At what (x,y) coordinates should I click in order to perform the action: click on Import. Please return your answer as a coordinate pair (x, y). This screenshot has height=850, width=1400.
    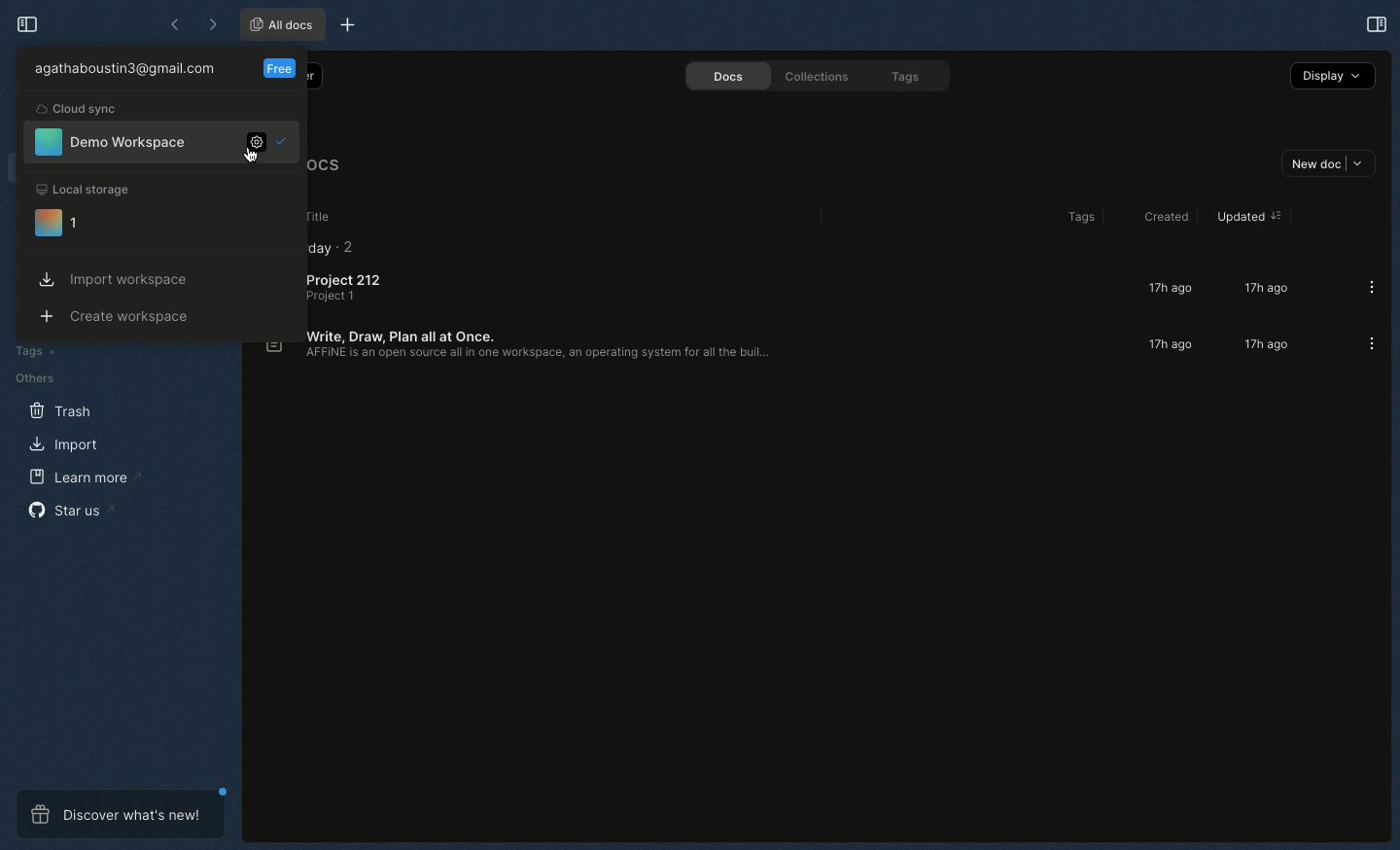
    Looking at the image, I should click on (60, 443).